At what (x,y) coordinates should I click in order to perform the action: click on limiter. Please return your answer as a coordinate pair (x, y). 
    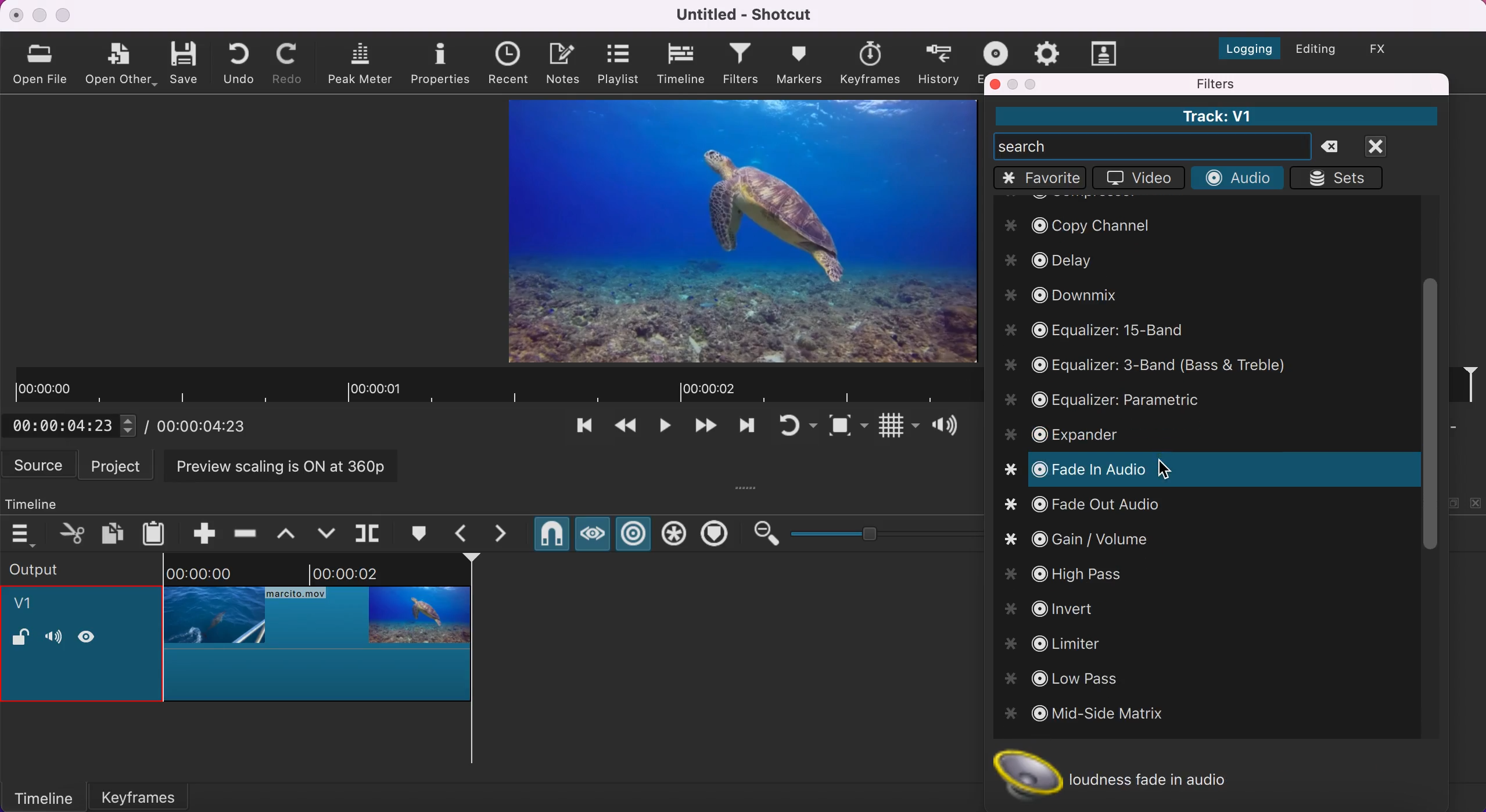
    Looking at the image, I should click on (1068, 646).